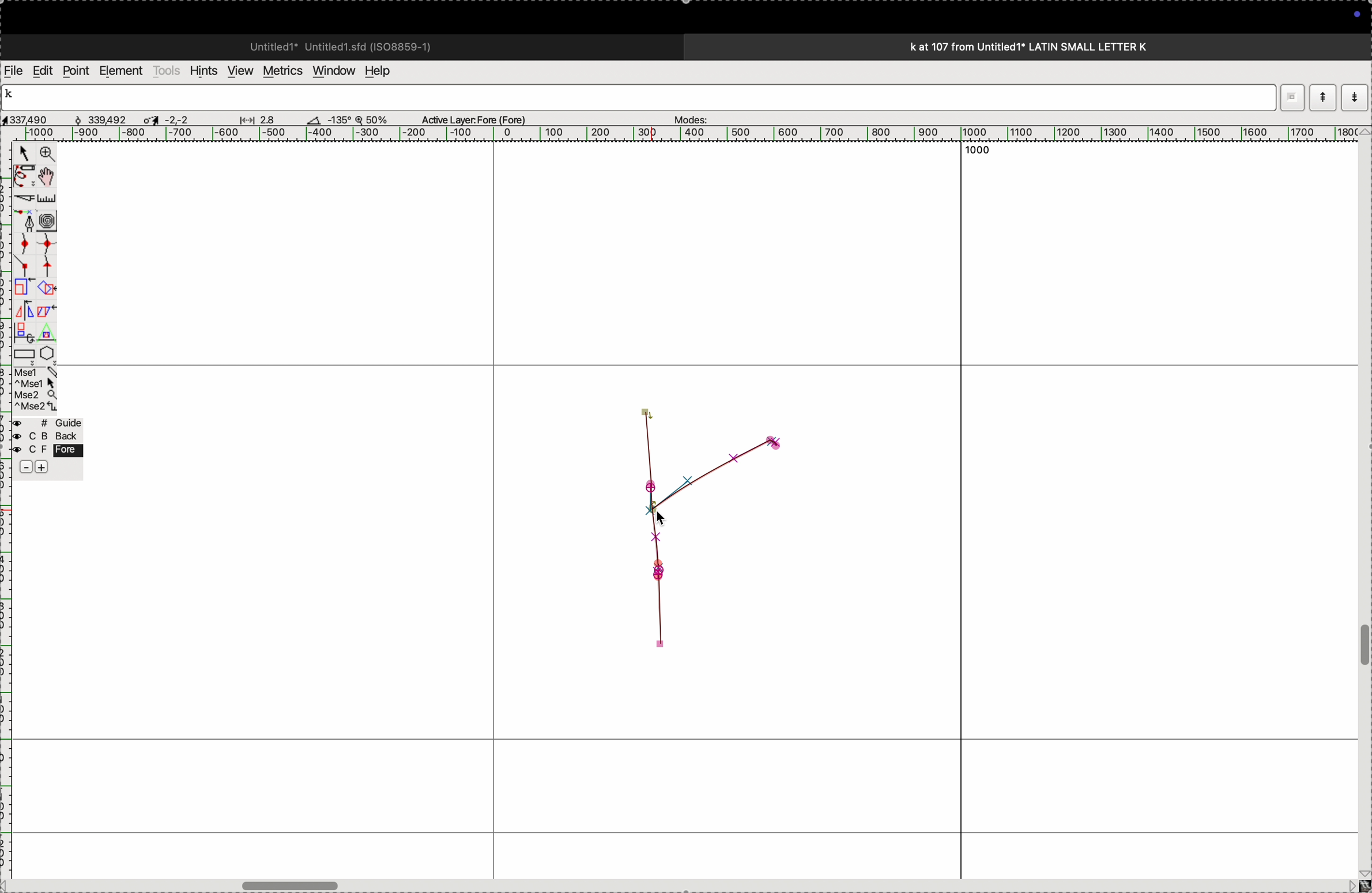  Describe the element at coordinates (293, 884) in the screenshot. I see `toggle screen` at that location.